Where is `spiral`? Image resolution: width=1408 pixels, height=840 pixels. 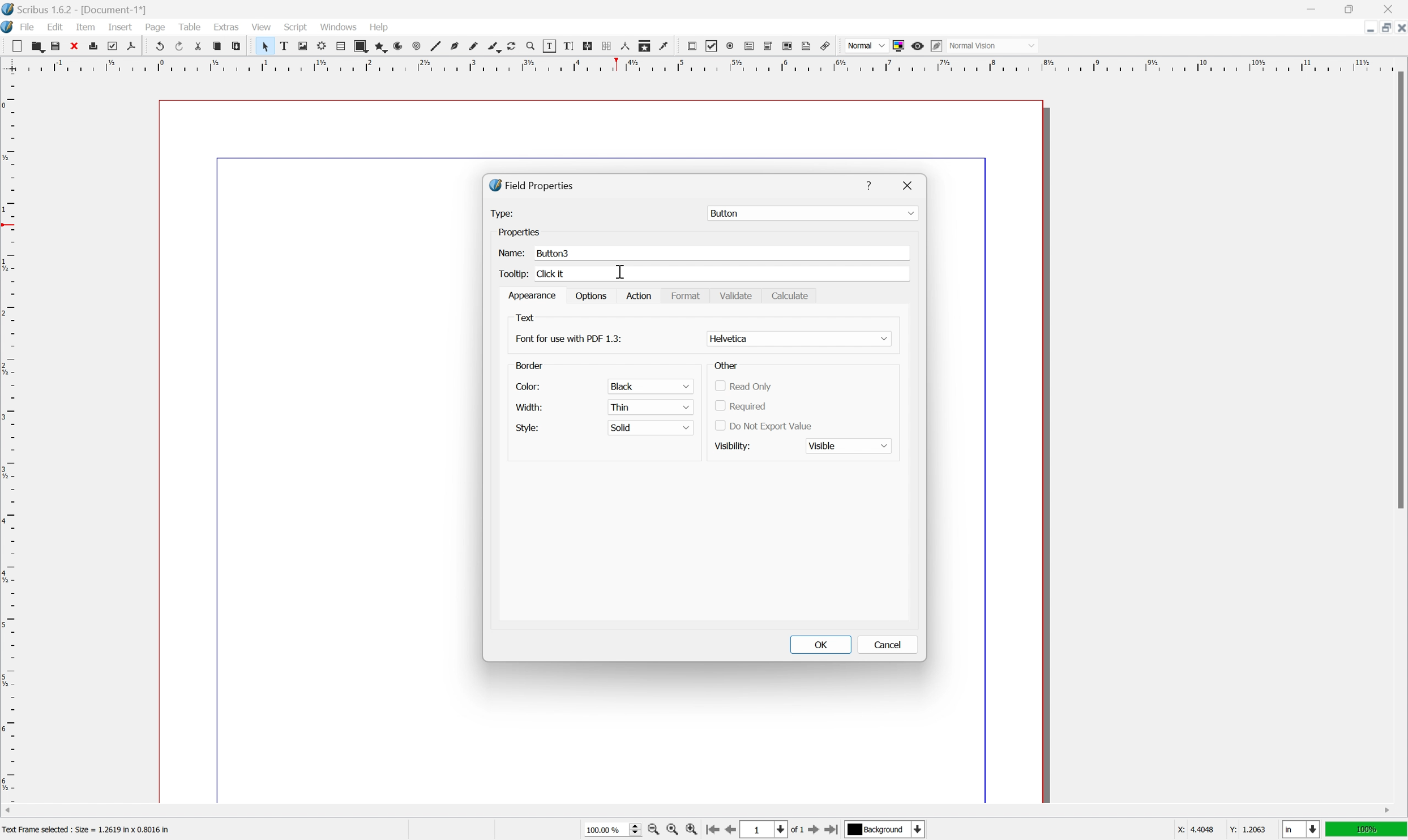
spiral is located at coordinates (417, 46).